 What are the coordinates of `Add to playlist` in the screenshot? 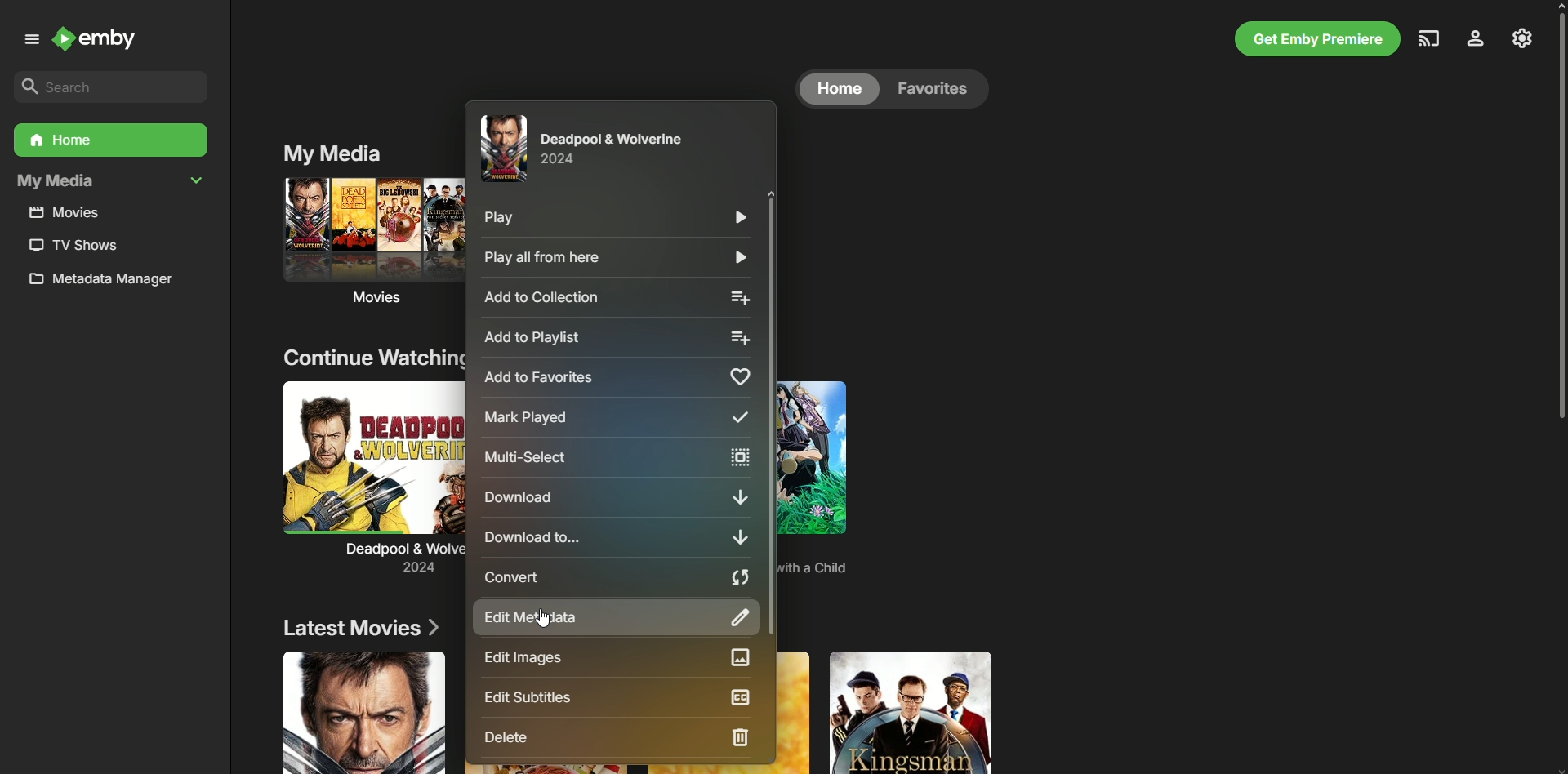 It's located at (624, 337).